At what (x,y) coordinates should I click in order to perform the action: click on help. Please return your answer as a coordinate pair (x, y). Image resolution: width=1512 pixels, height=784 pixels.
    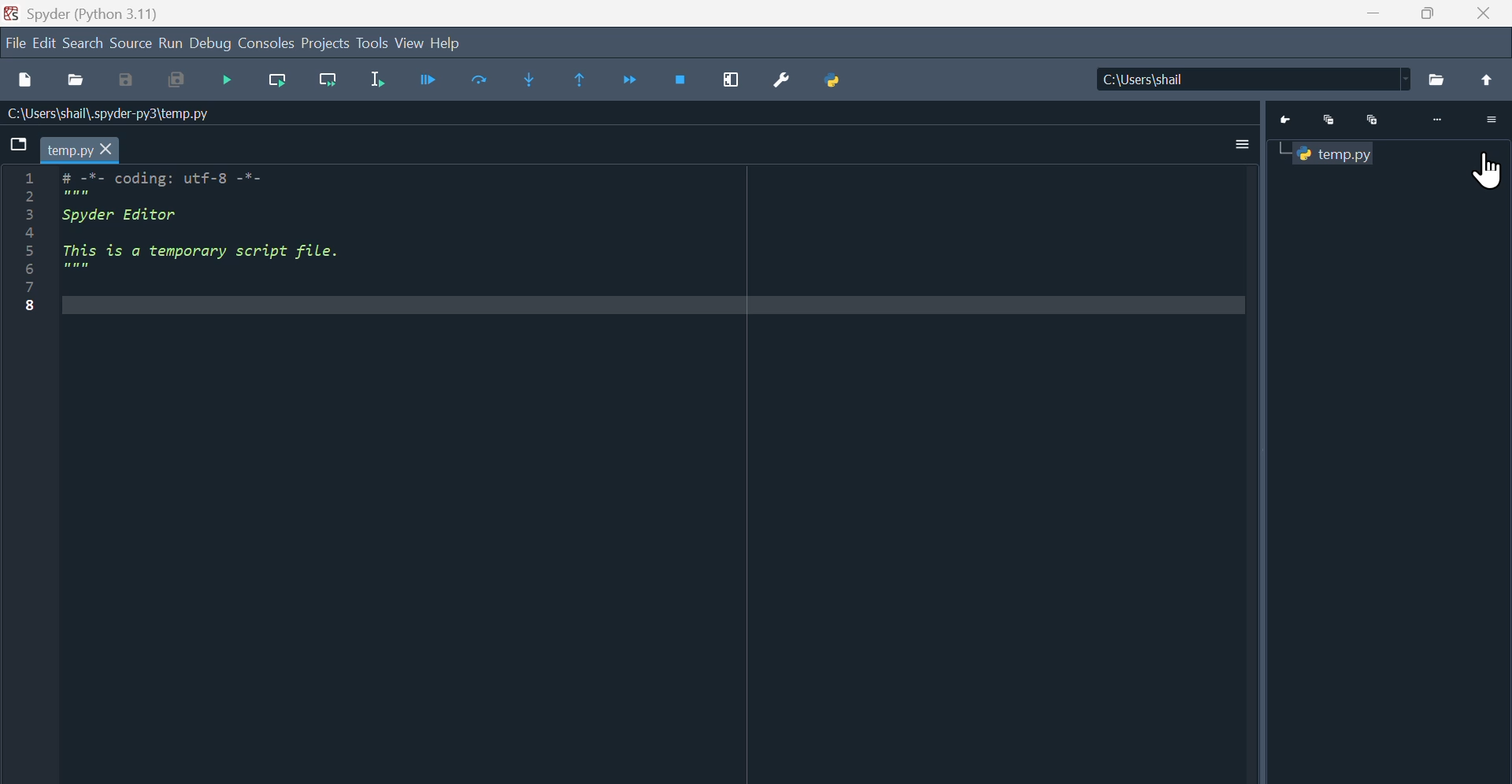
    Looking at the image, I should click on (446, 43).